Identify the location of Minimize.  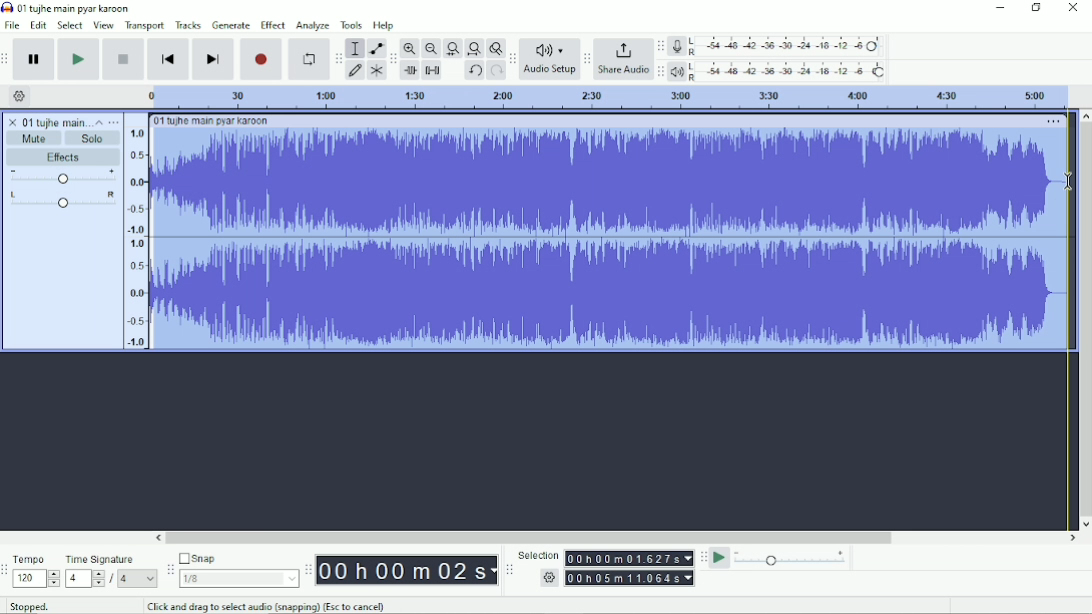
(998, 8).